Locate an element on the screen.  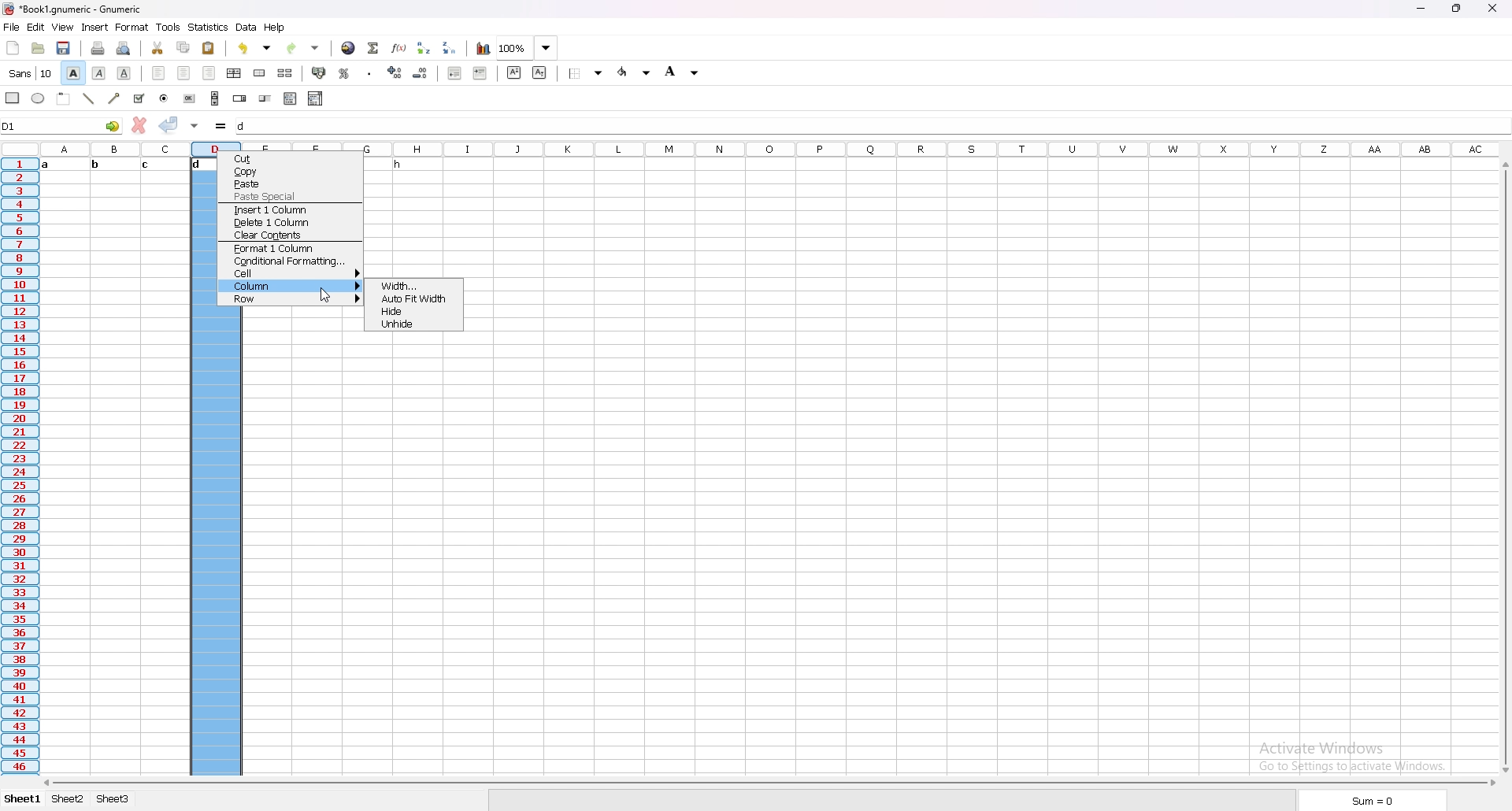
sheet 3 is located at coordinates (113, 800).